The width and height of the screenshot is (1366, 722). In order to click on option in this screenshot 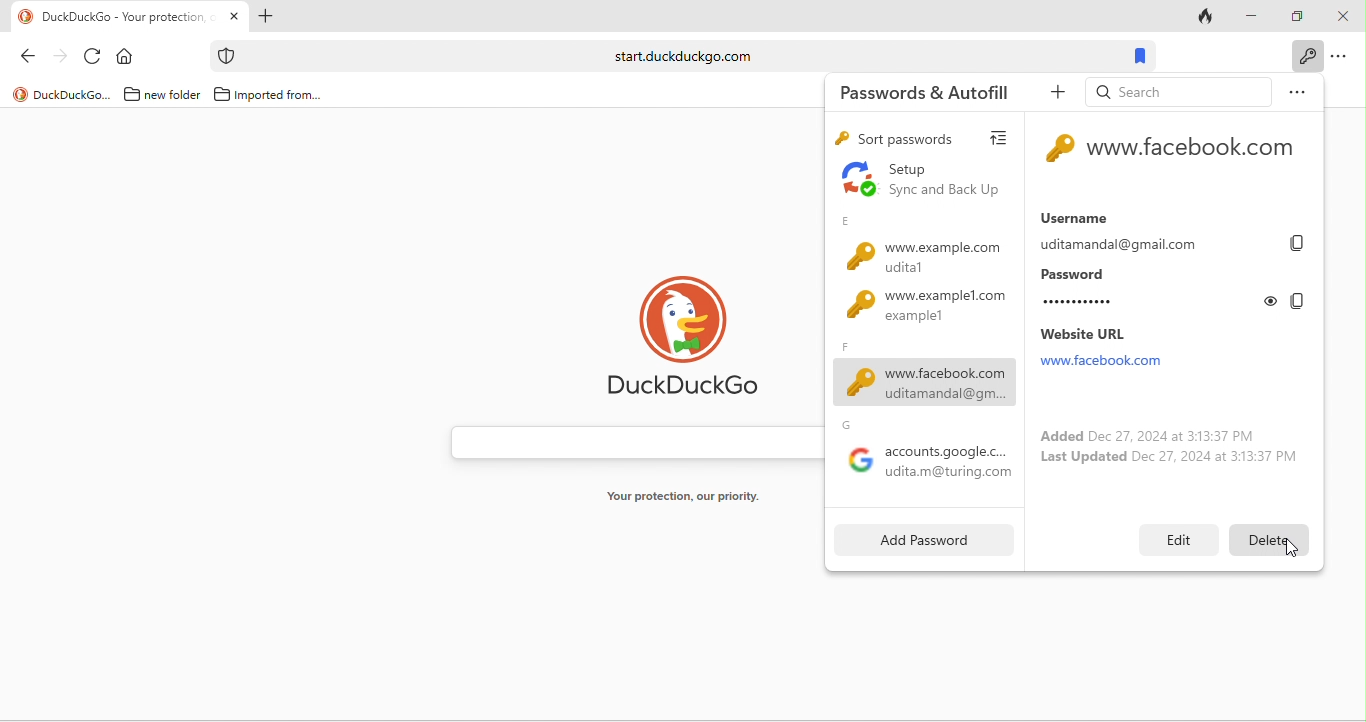, I will do `click(1296, 90)`.